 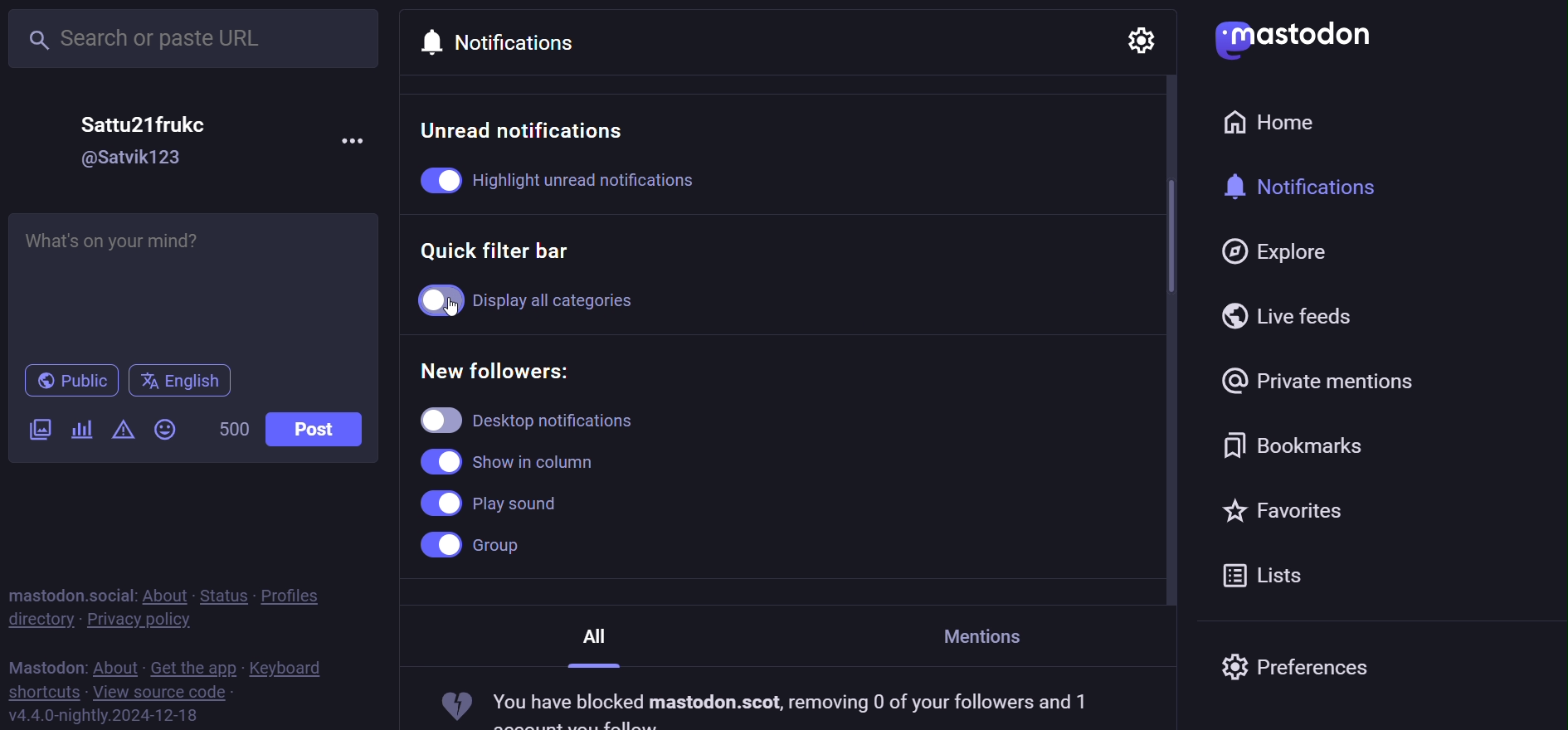 I want to click on scrolled down, so click(x=1170, y=235).